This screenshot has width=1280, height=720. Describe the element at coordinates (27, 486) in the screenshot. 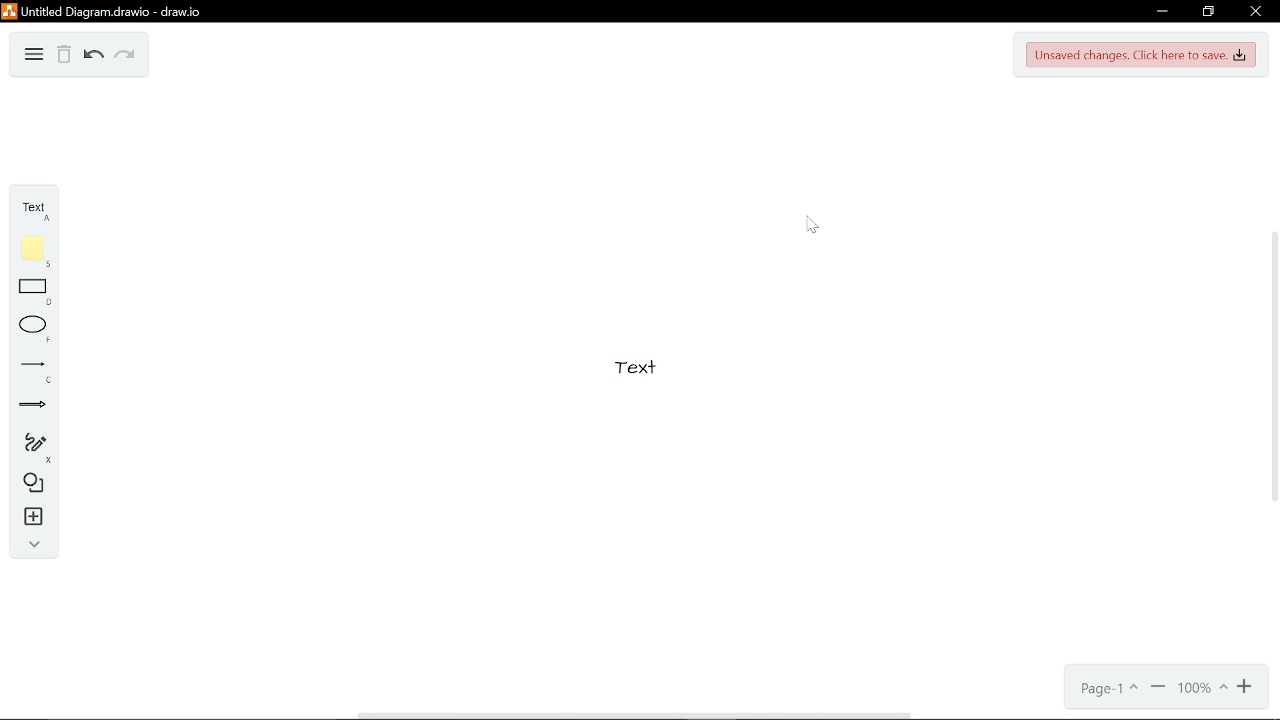

I see `Shapes` at that location.